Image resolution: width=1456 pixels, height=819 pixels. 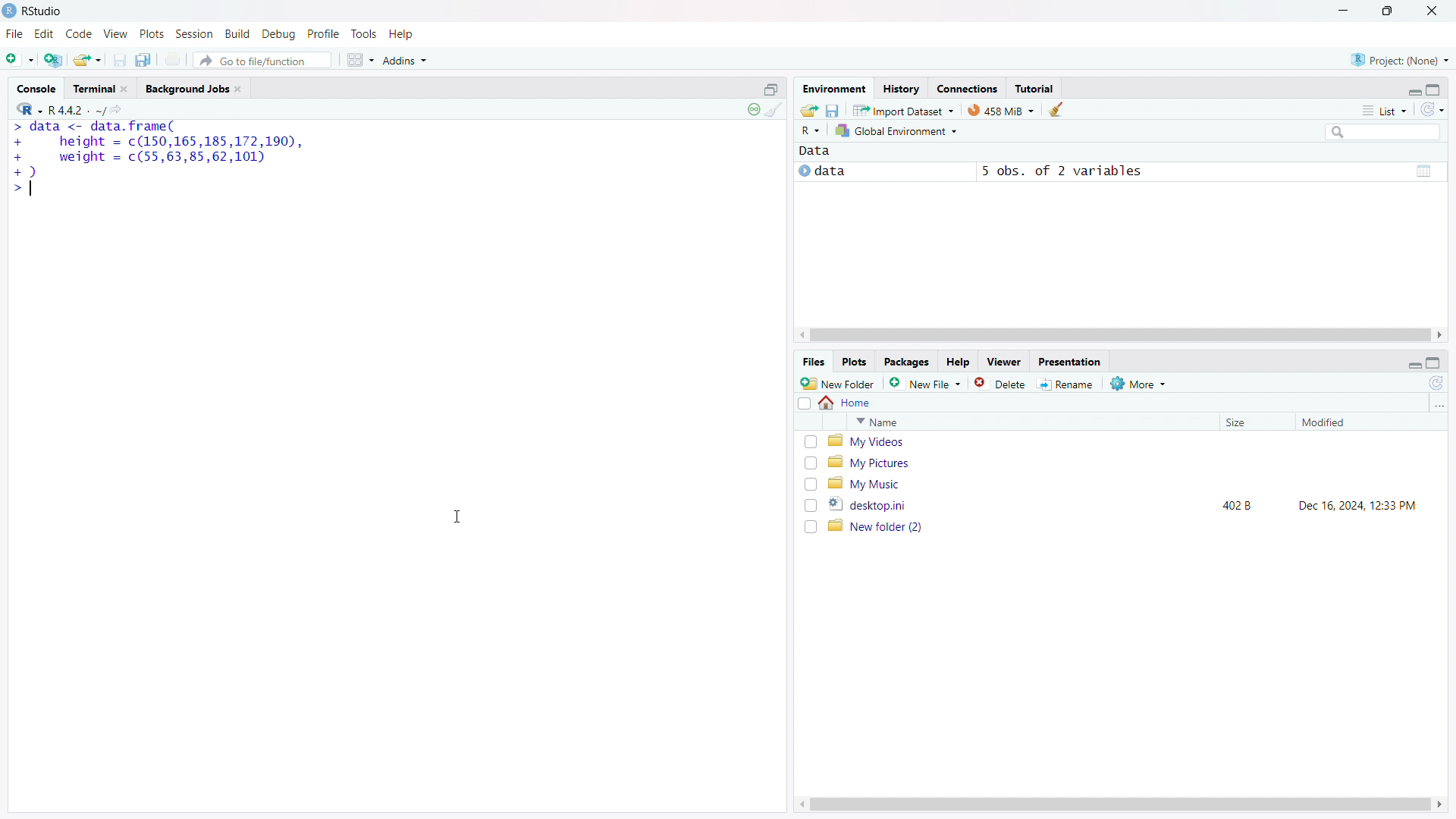 I want to click on >, so click(x=22, y=190).